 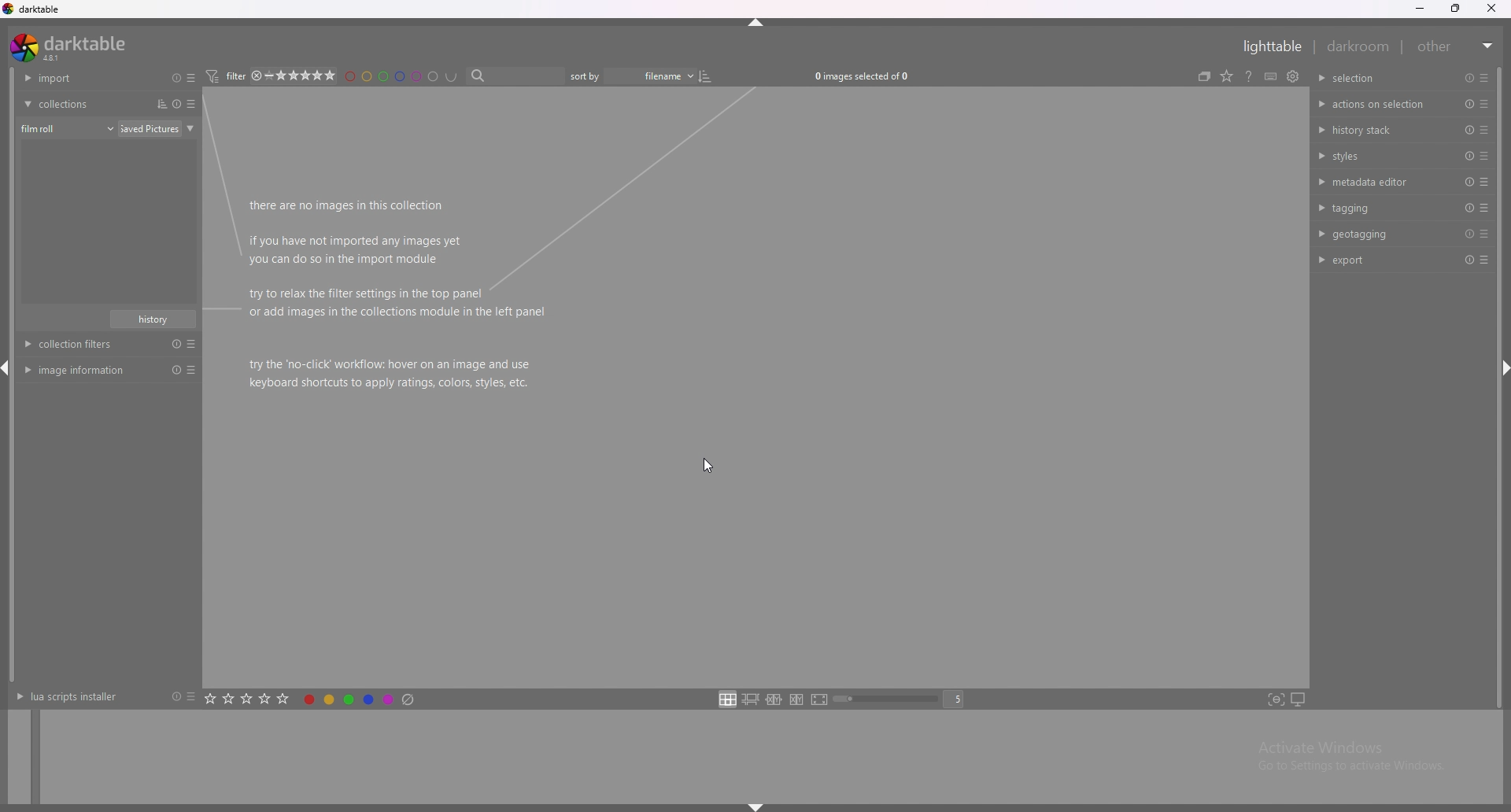 What do you see at coordinates (1276, 699) in the screenshot?
I see `toggle focus peaking mode` at bounding box center [1276, 699].